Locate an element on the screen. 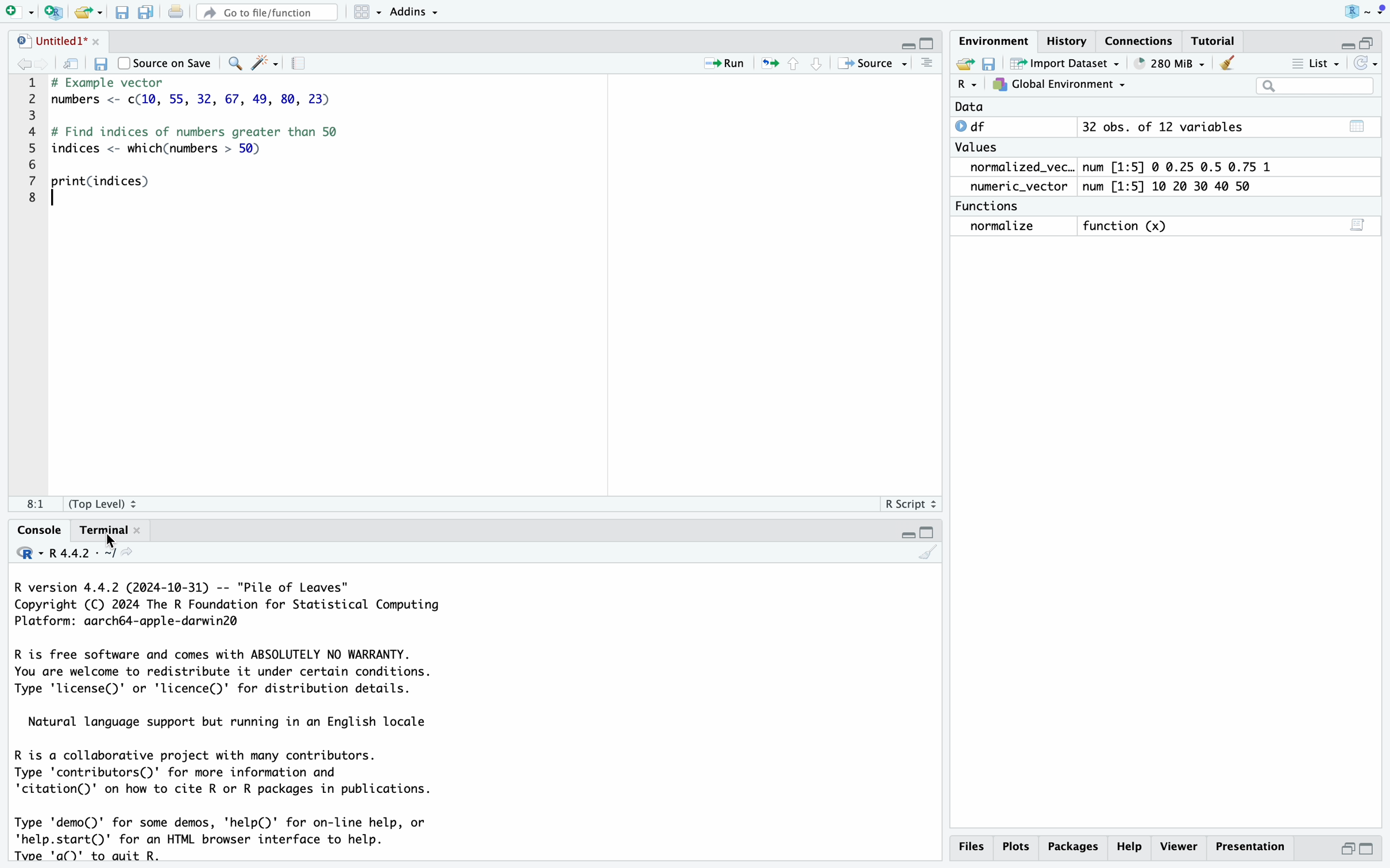  Go to file/function is located at coordinates (265, 13).